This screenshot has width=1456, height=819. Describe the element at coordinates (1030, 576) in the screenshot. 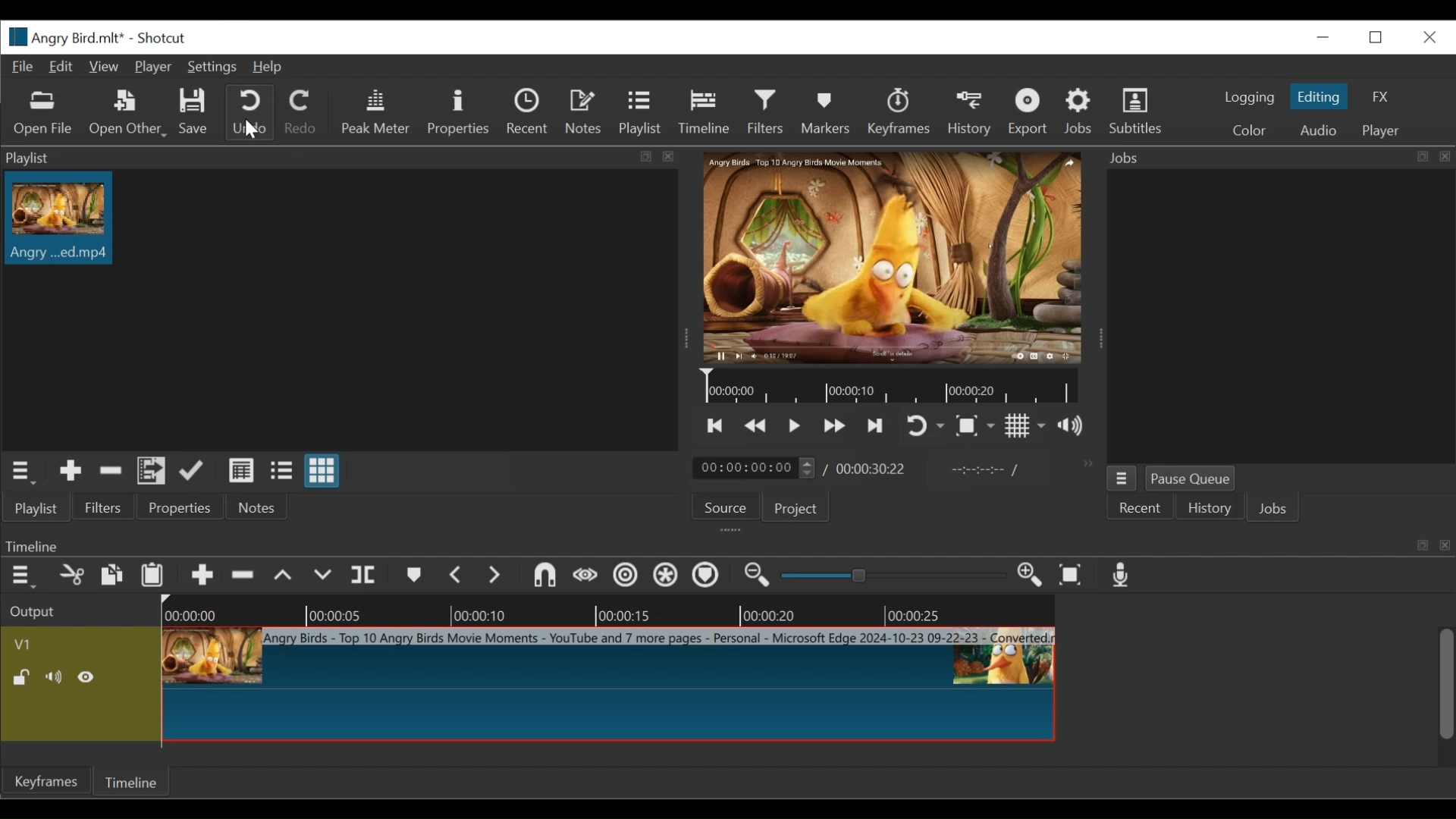

I see `Zoom timeline in` at that location.